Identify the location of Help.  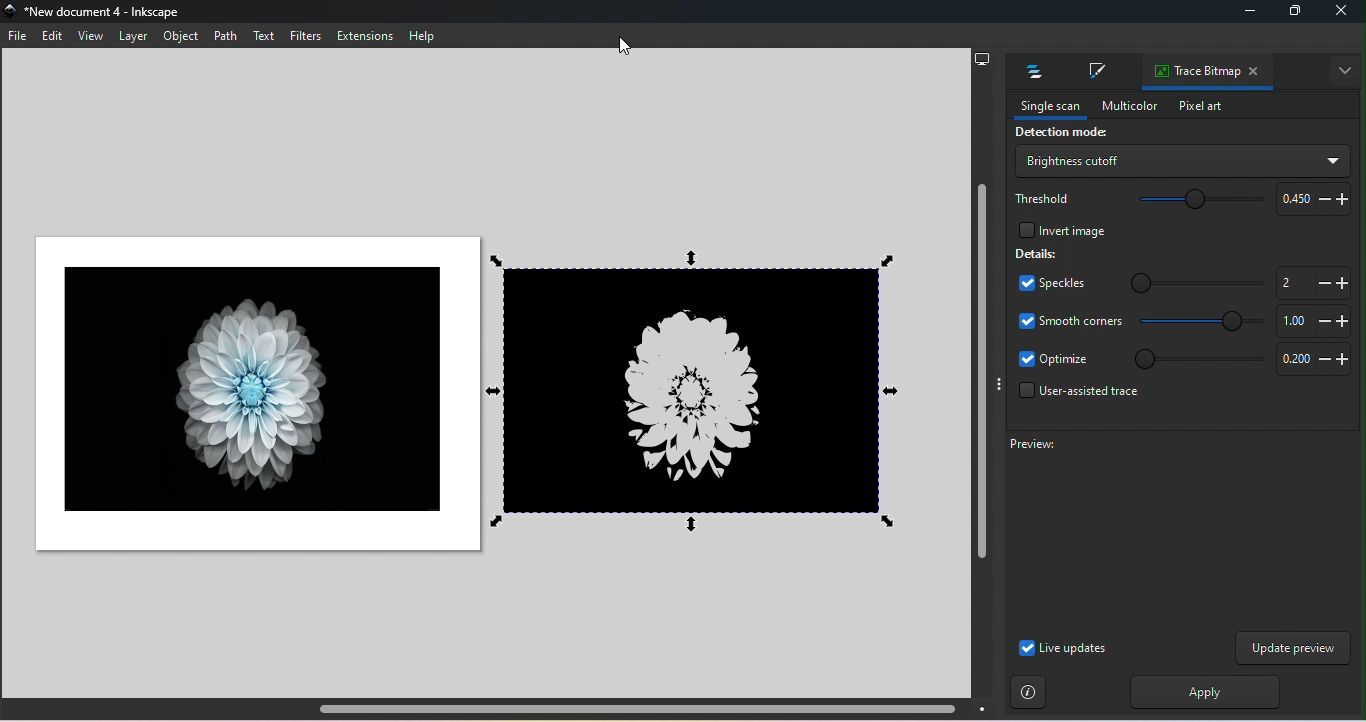
(422, 36).